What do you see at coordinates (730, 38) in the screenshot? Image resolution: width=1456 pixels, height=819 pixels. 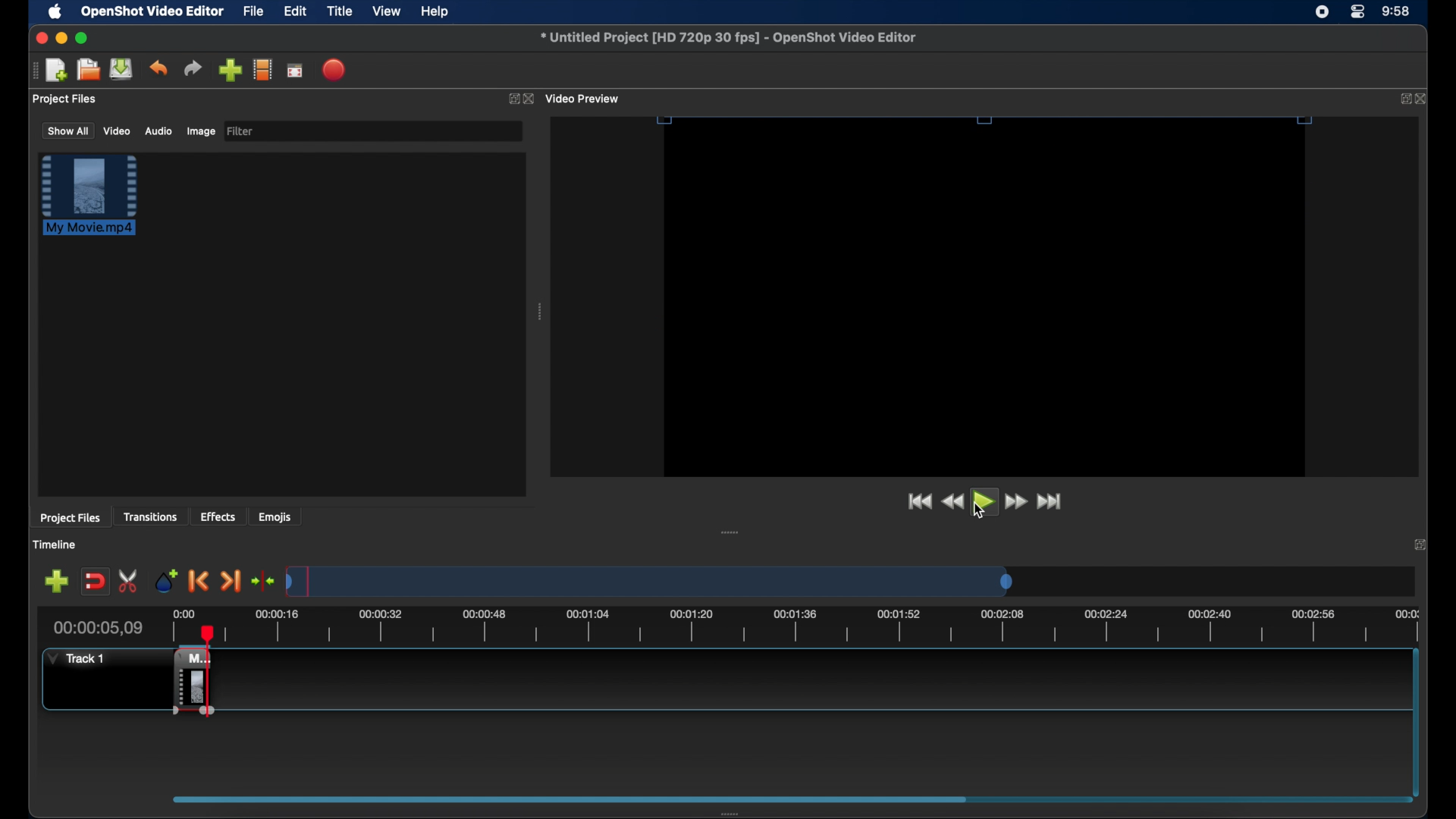 I see `file name` at bounding box center [730, 38].